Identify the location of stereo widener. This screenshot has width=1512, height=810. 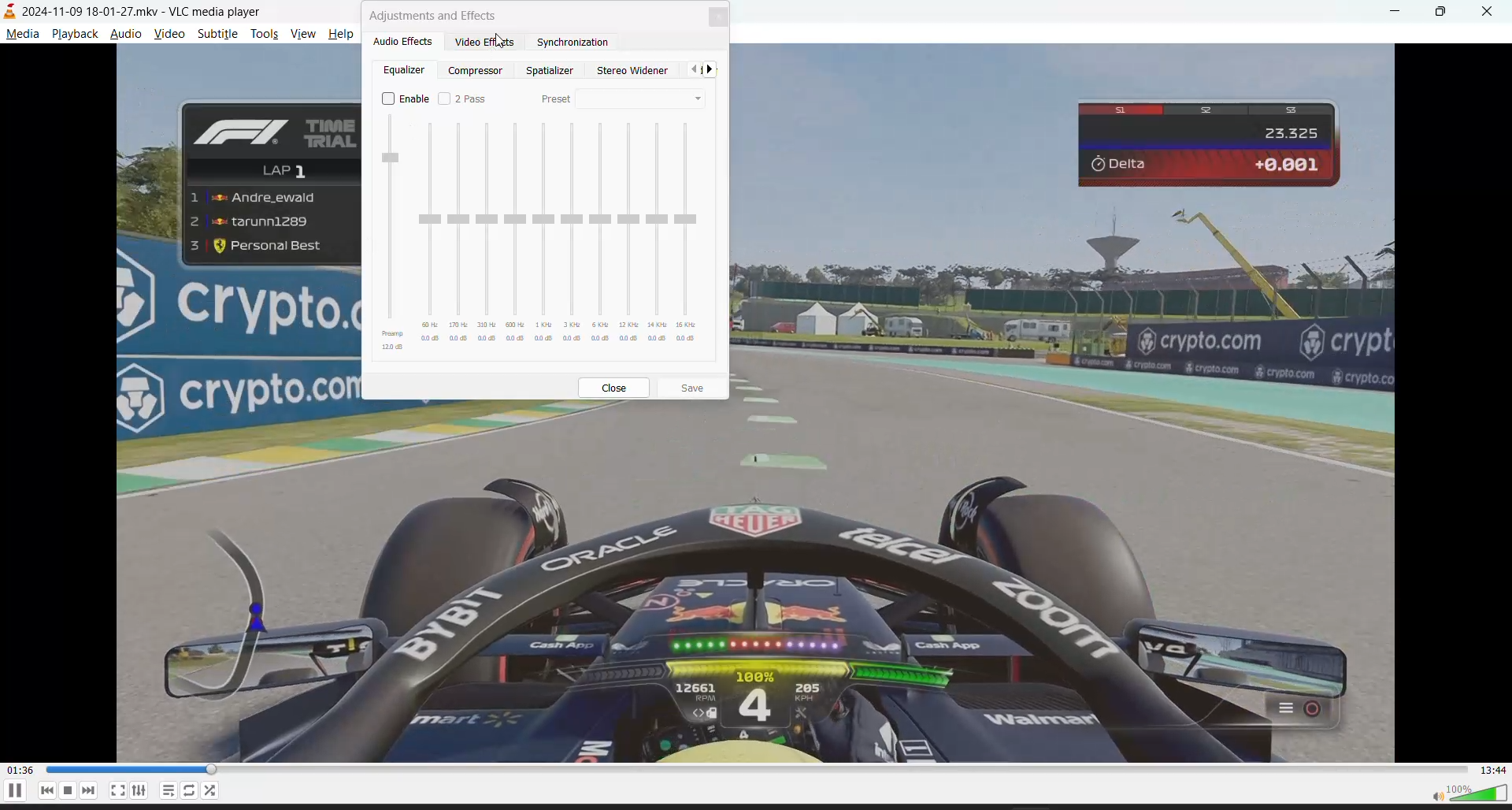
(632, 72).